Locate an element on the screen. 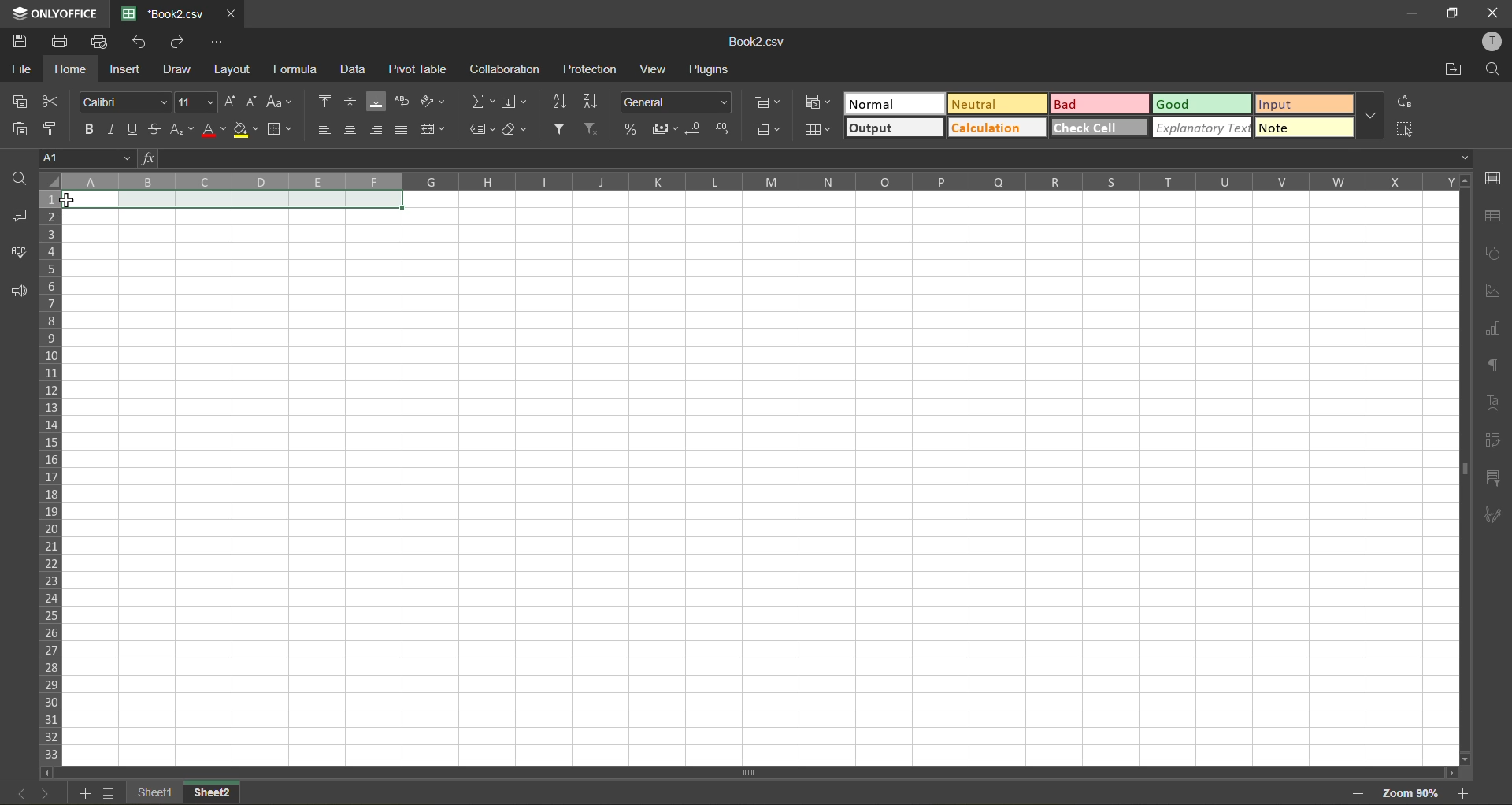  field is located at coordinates (513, 103).